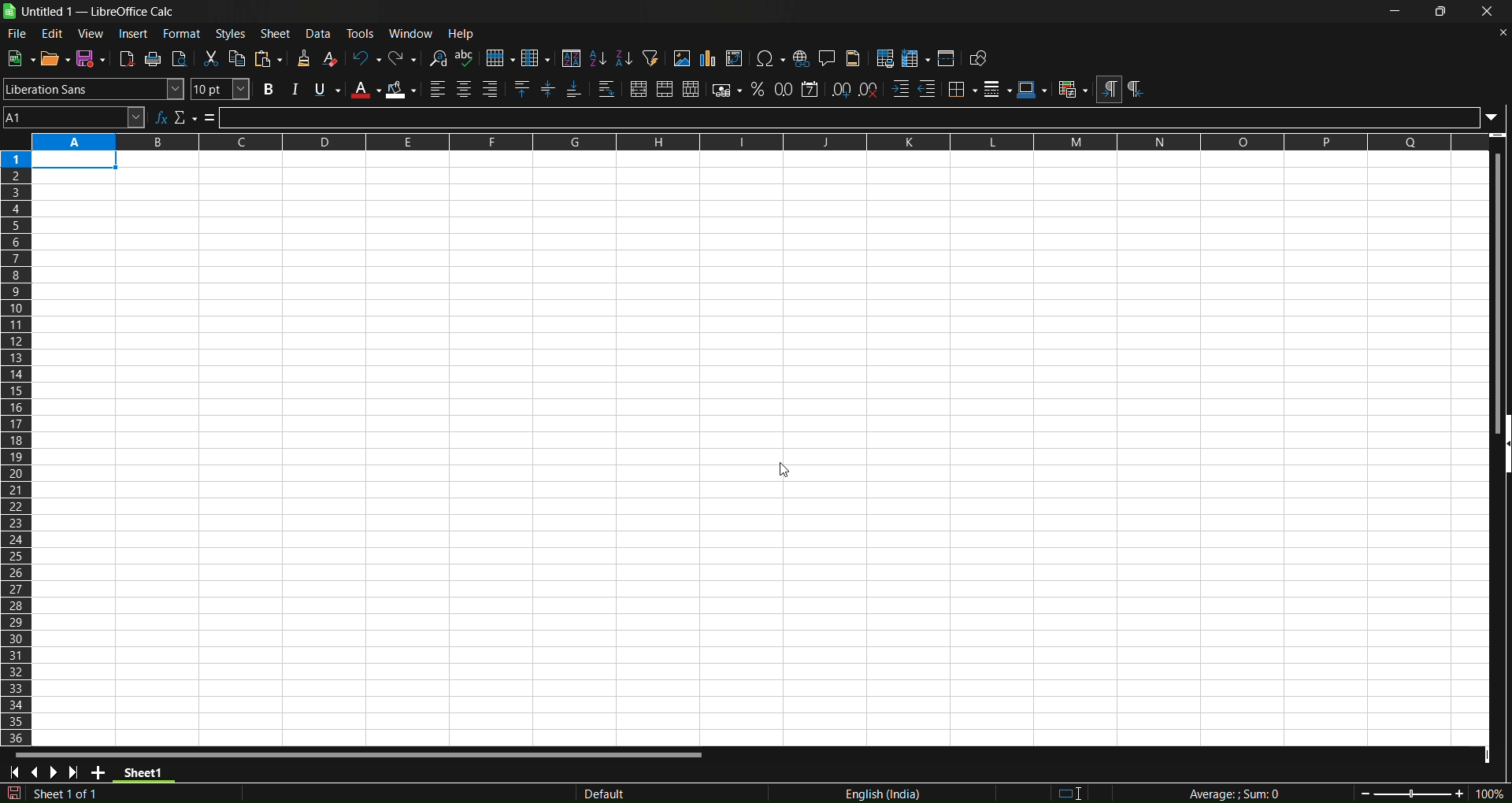 This screenshot has height=803, width=1512. Describe the element at coordinates (980, 60) in the screenshot. I see `show draw functions` at that location.